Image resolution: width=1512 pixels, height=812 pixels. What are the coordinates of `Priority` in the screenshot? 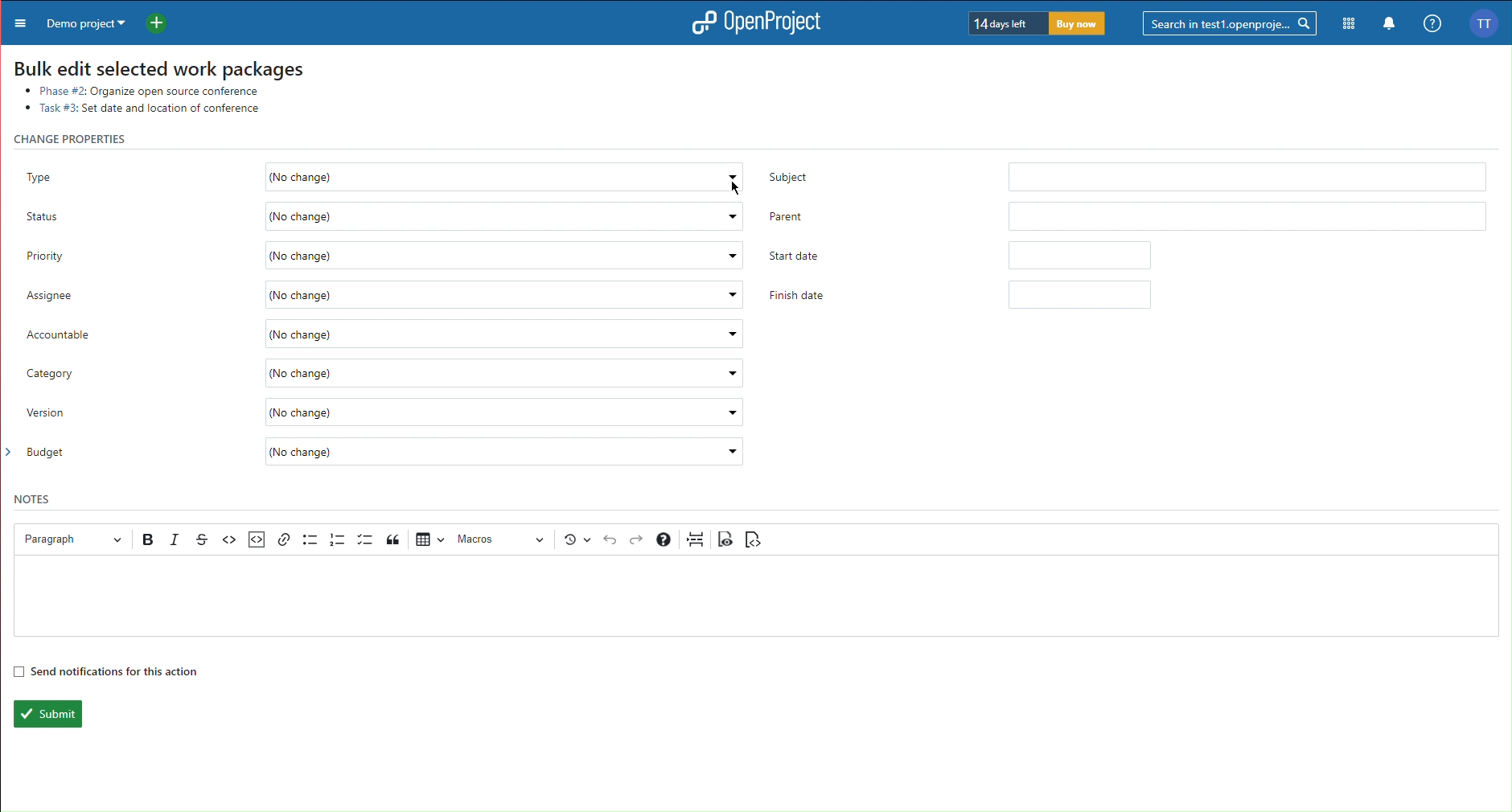 It's located at (376, 257).